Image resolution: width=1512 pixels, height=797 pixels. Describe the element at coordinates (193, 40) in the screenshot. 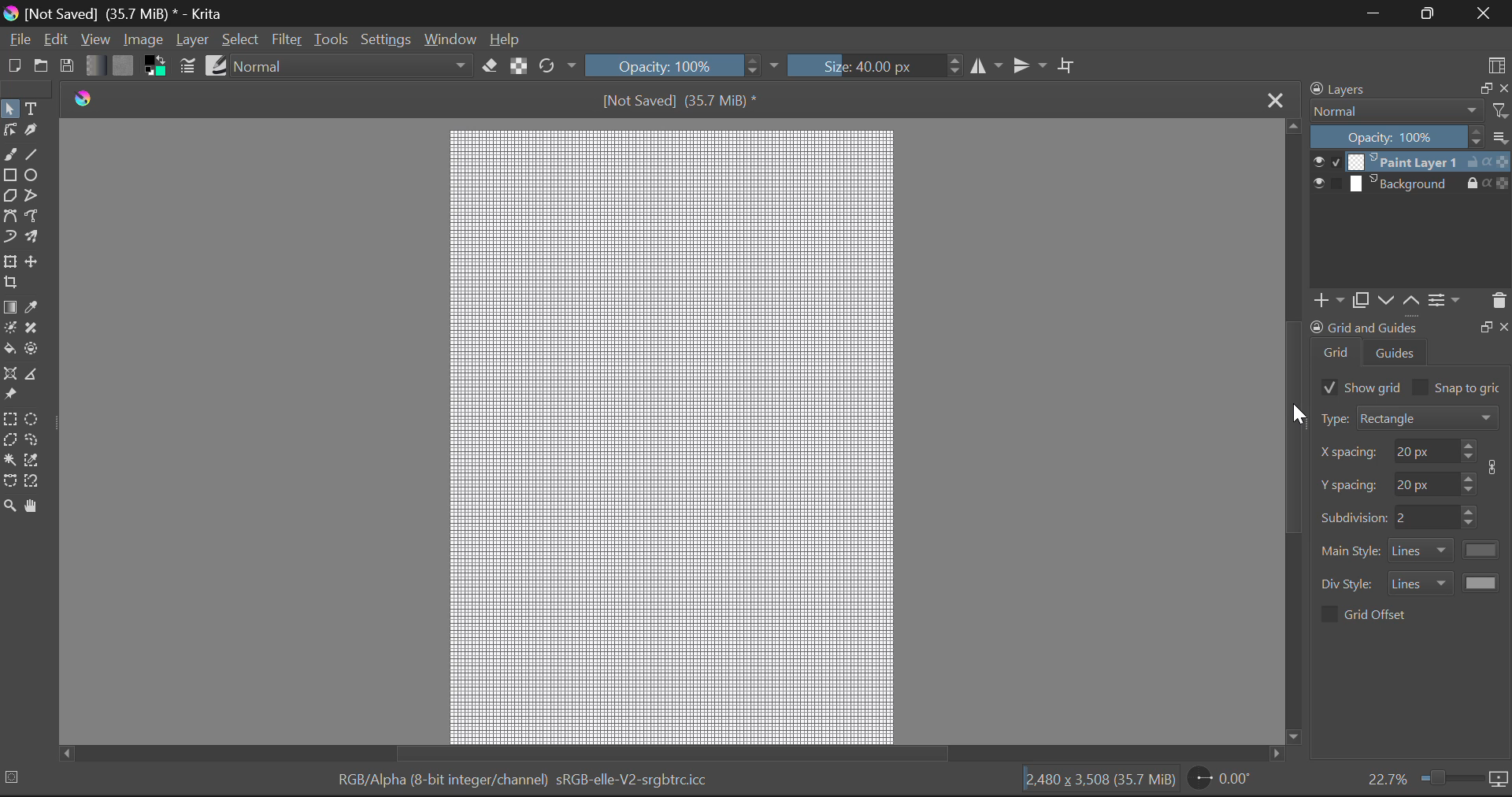

I see `Layer` at that location.